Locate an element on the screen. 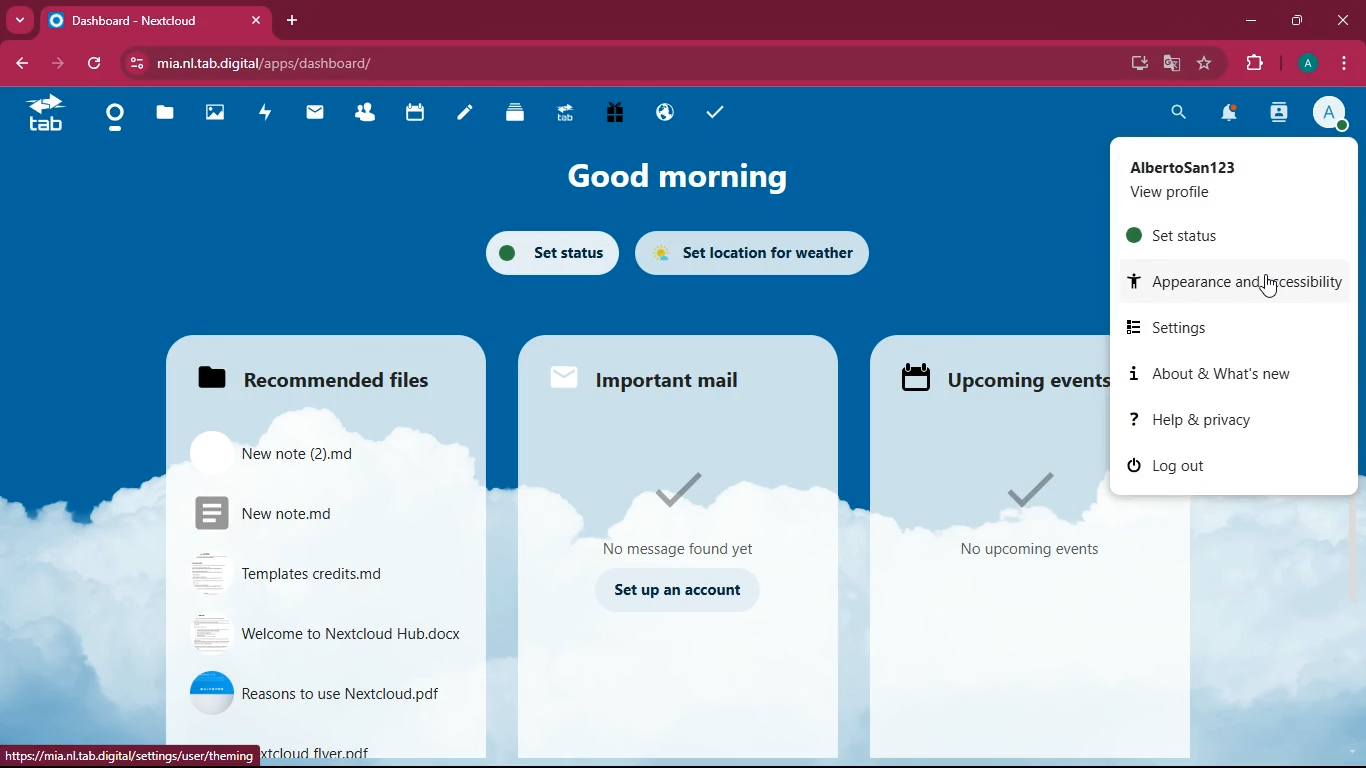 The width and height of the screenshot is (1366, 768). events is located at coordinates (1018, 518).